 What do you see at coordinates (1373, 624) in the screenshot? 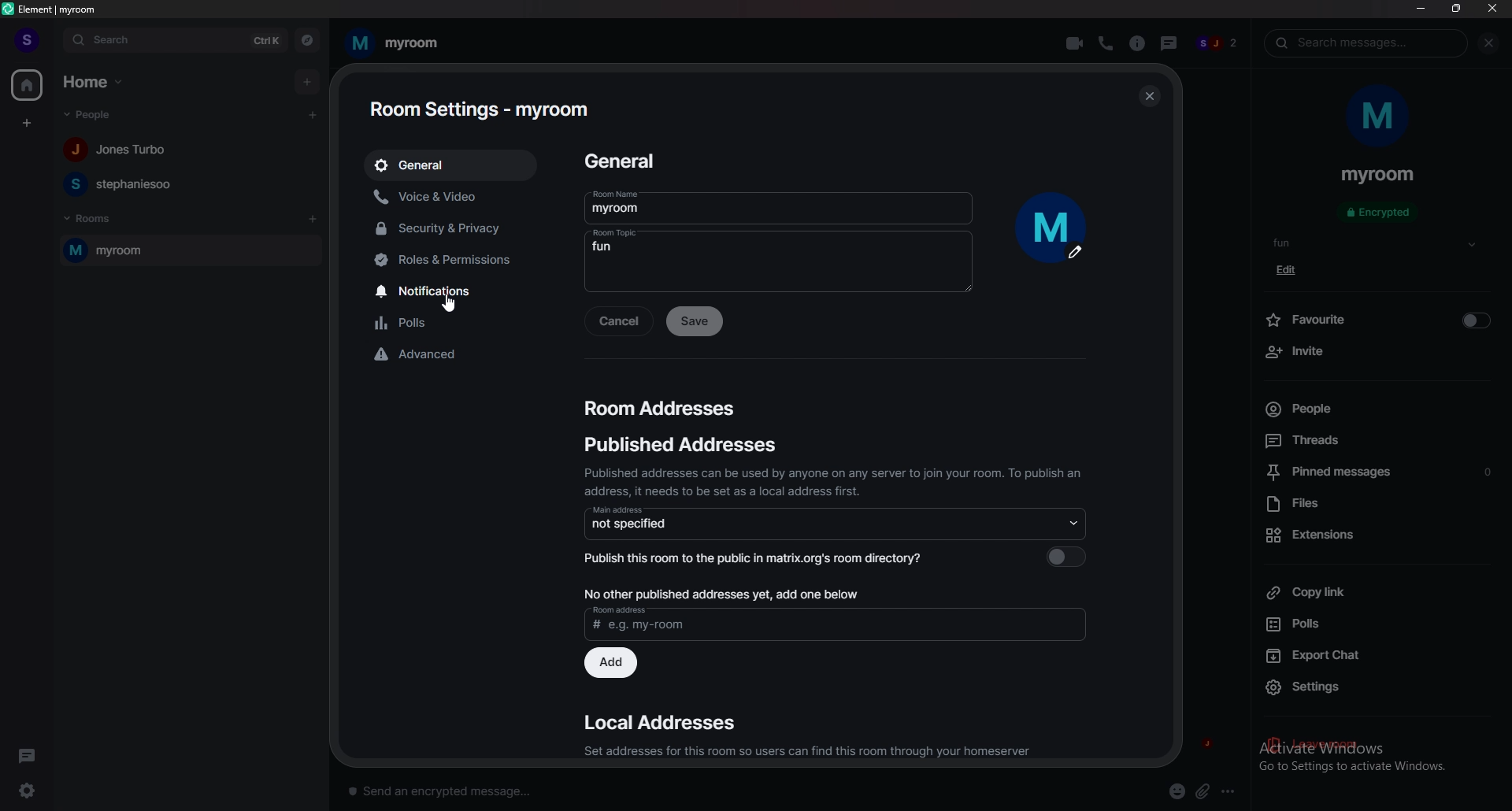
I see `polls` at bounding box center [1373, 624].